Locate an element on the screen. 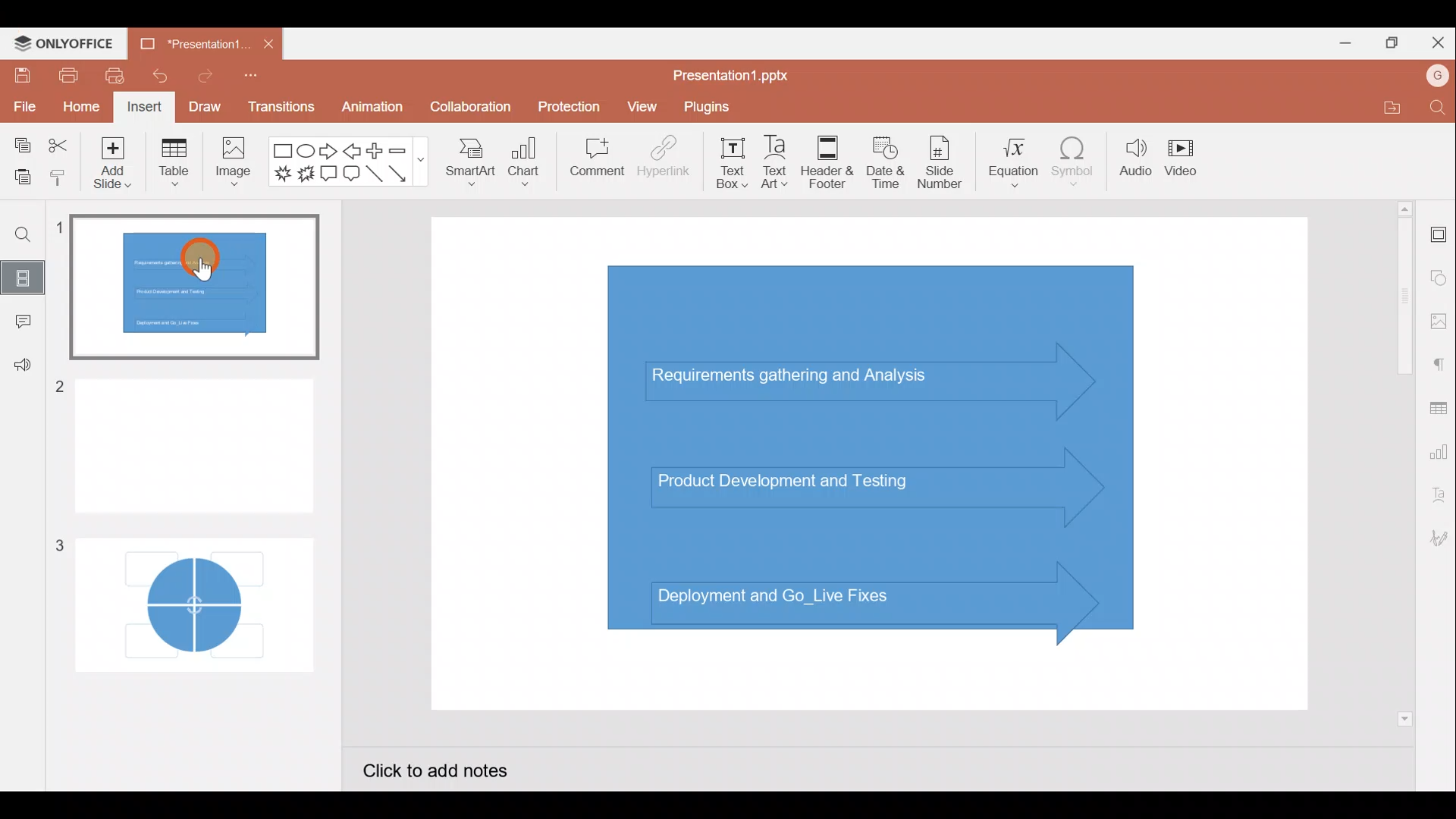 The height and width of the screenshot is (819, 1456). Insert is located at coordinates (144, 106).